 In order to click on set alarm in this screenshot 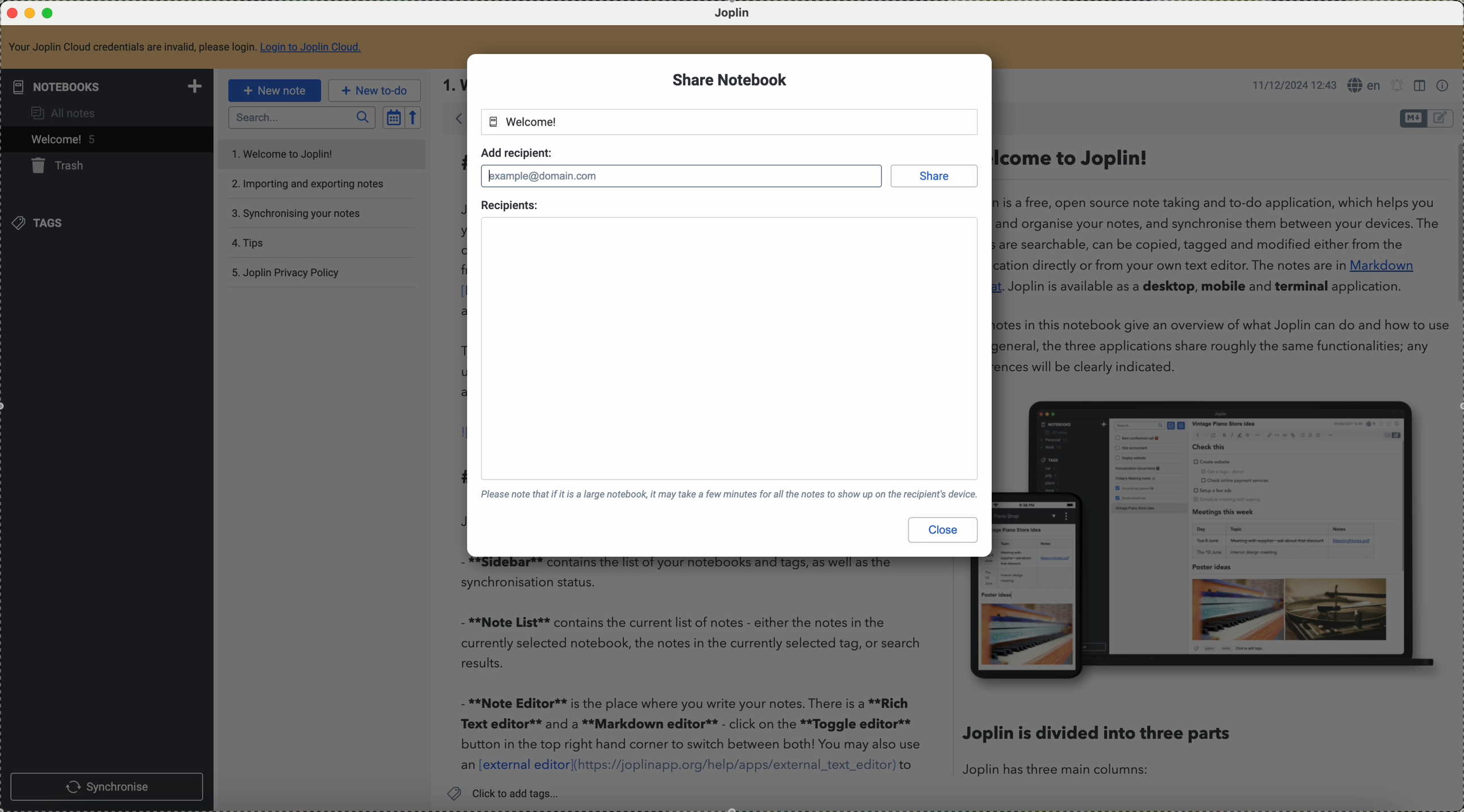, I will do `click(1398, 86)`.